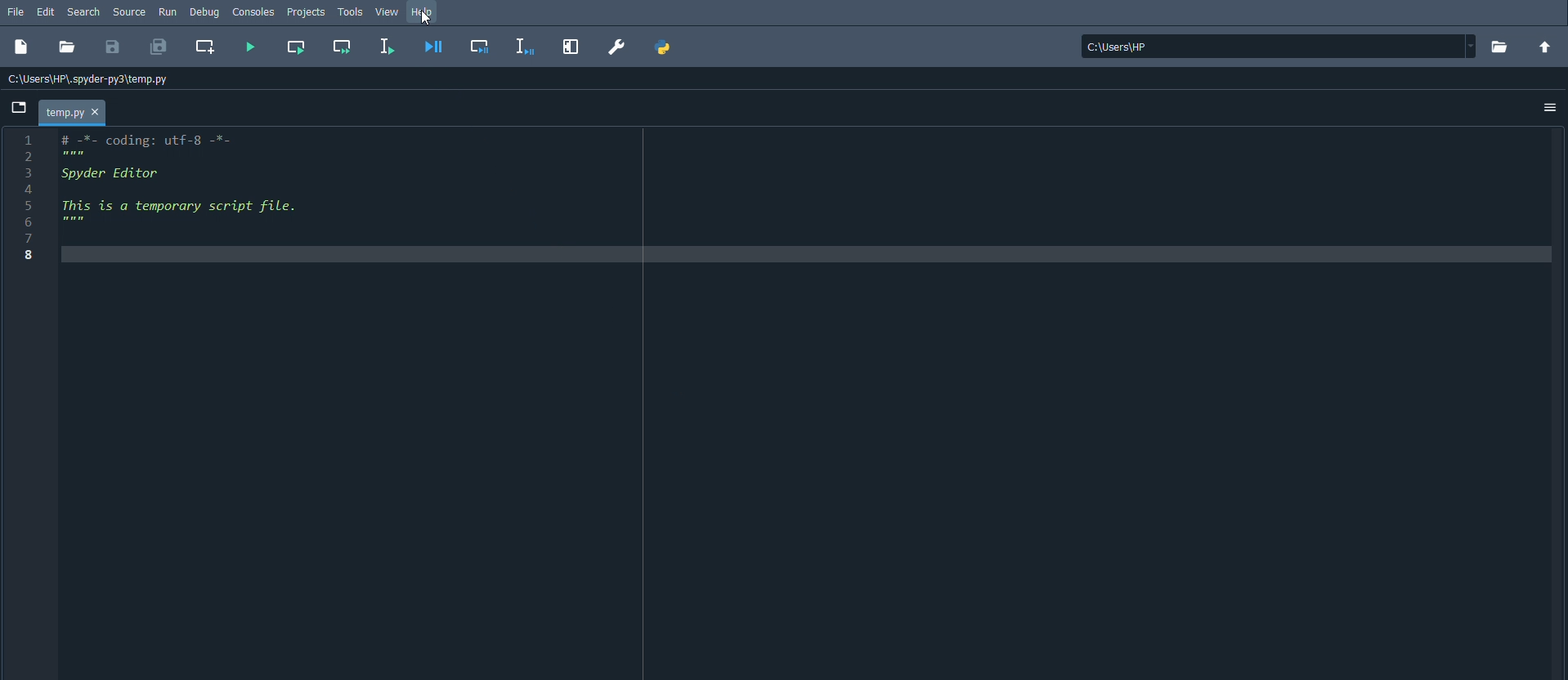 The width and height of the screenshot is (1568, 680). Describe the element at coordinates (1500, 46) in the screenshot. I see `Browse a working directory` at that location.